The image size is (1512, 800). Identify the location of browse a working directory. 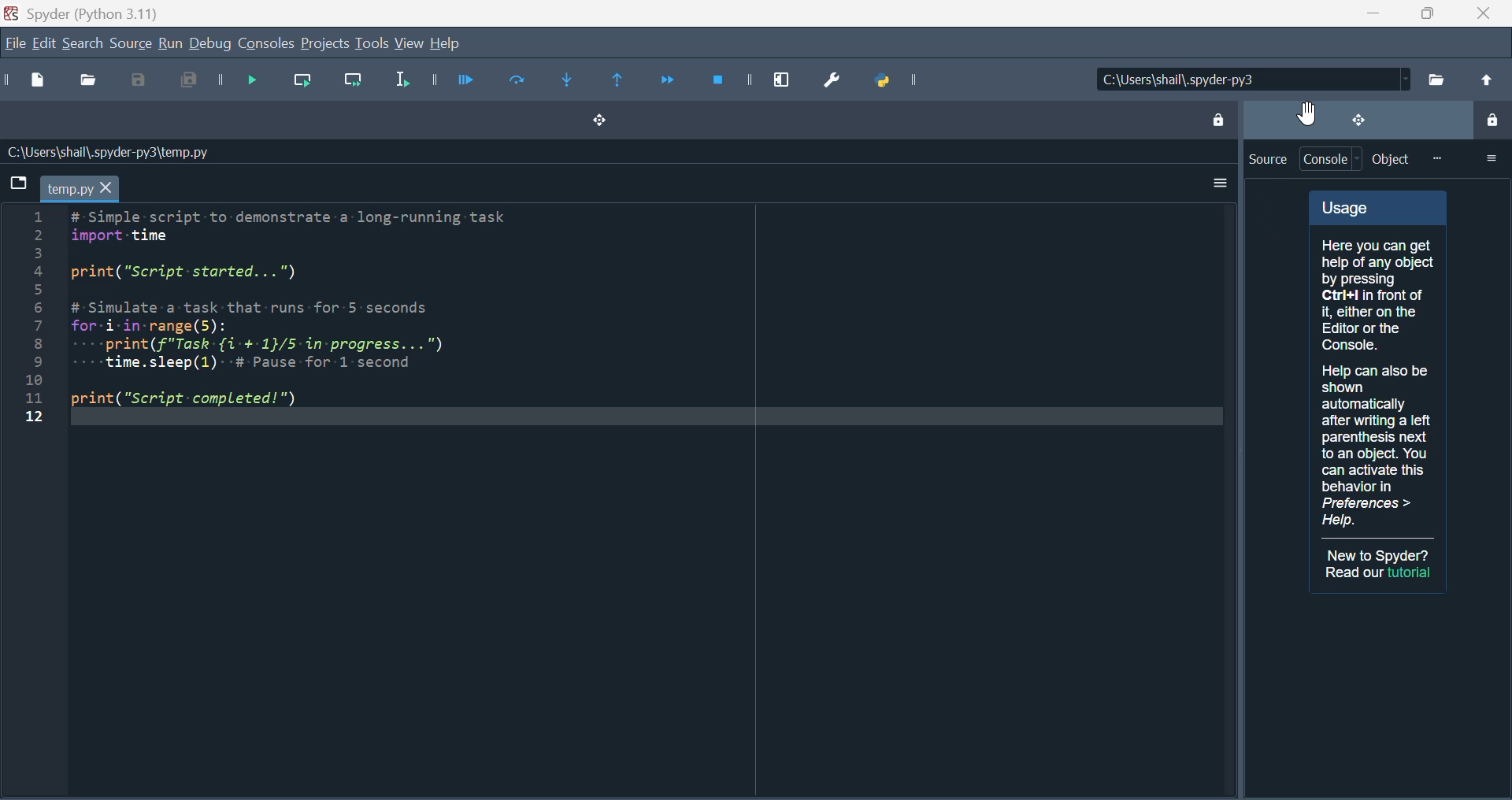
(1436, 79).